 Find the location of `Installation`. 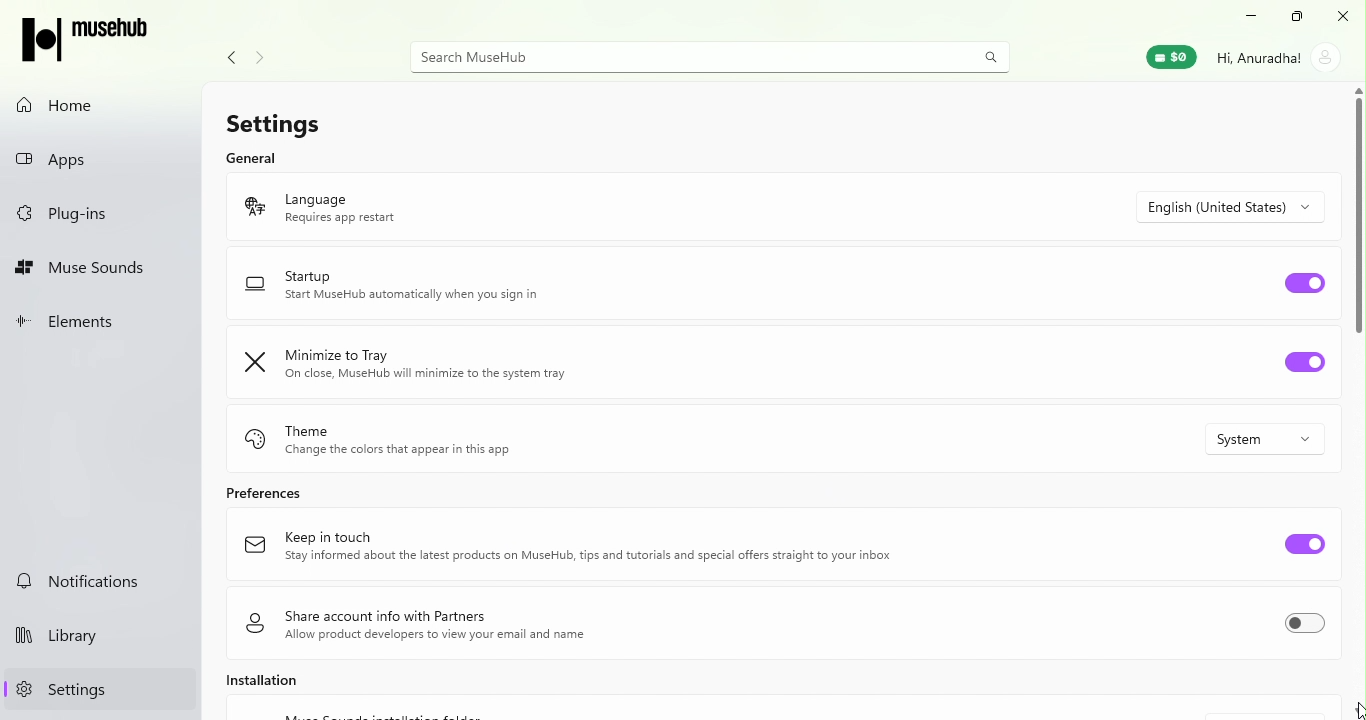

Installation is located at coordinates (270, 681).